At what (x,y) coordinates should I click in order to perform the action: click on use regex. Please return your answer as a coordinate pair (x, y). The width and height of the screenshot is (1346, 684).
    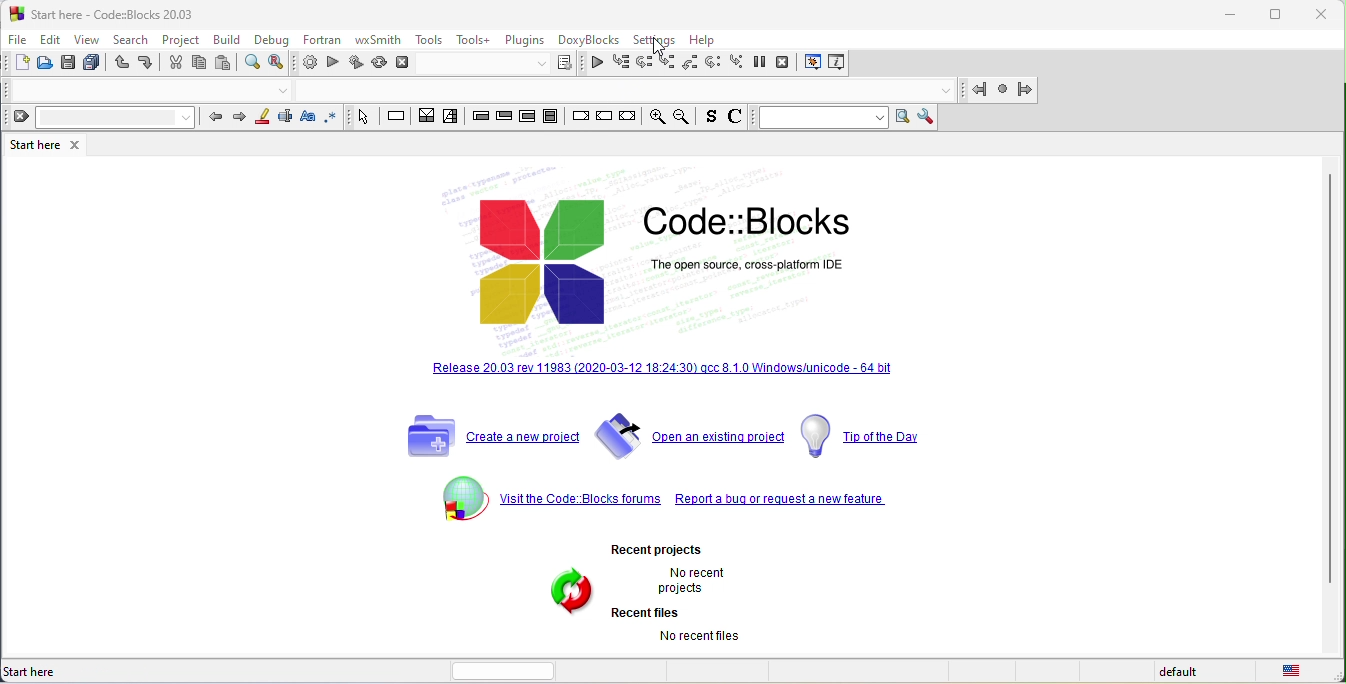
    Looking at the image, I should click on (337, 117).